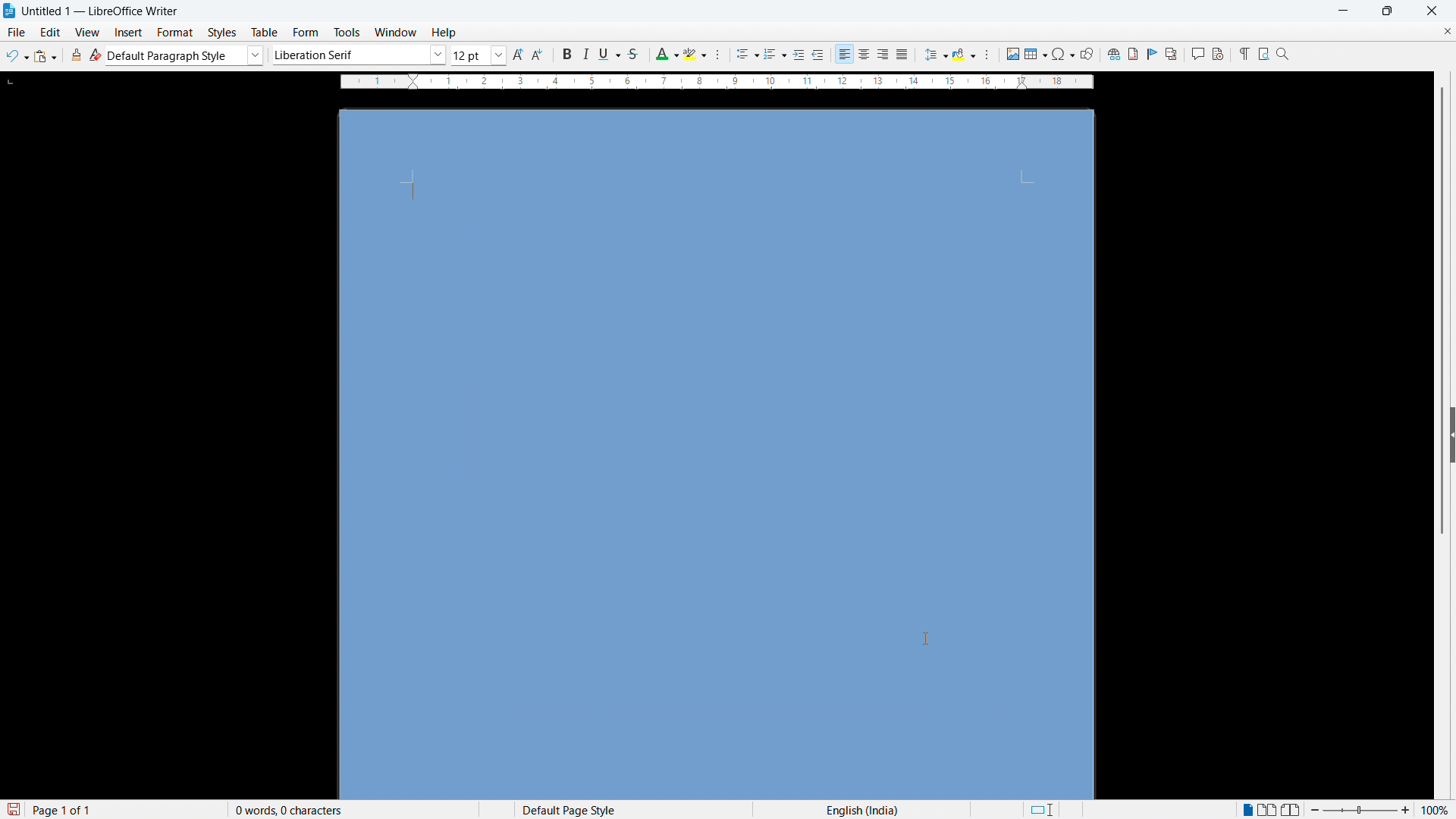  Describe the element at coordinates (175, 32) in the screenshot. I see `Format ` at that location.